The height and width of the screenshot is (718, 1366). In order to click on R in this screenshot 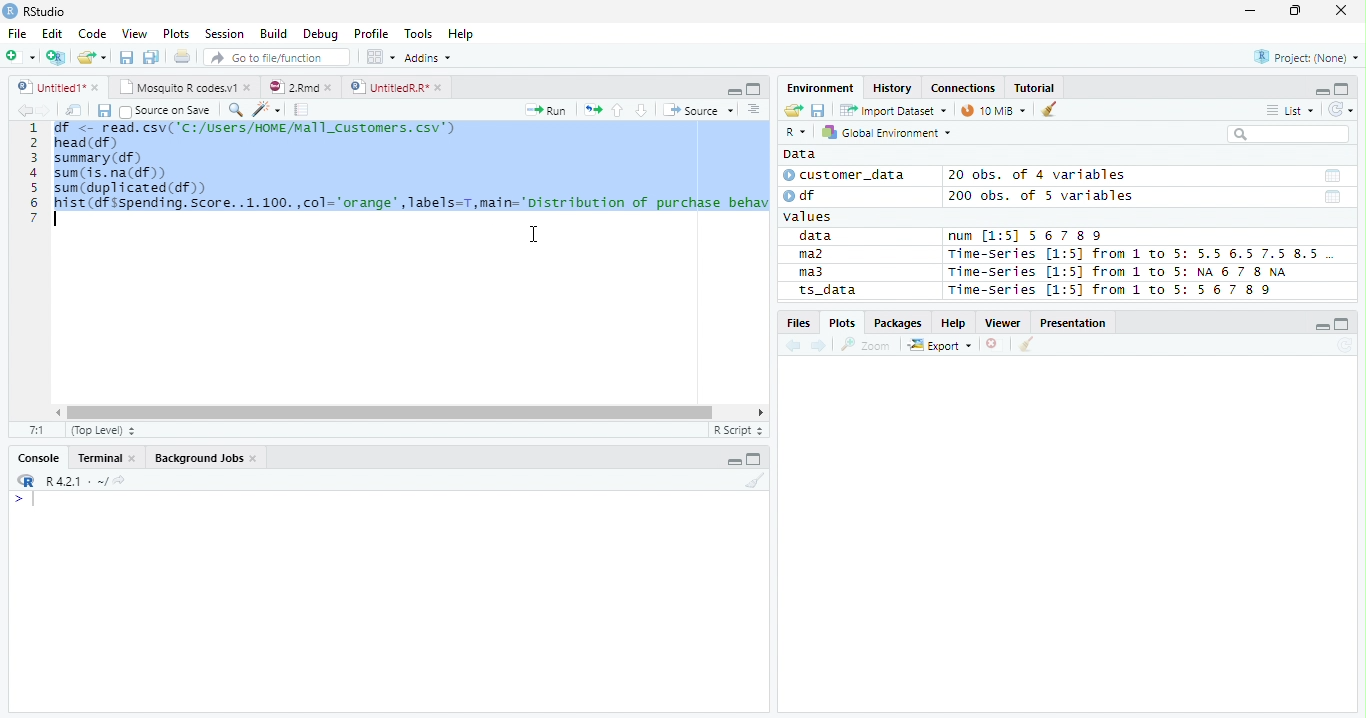, I will do `click(24, 481)`.